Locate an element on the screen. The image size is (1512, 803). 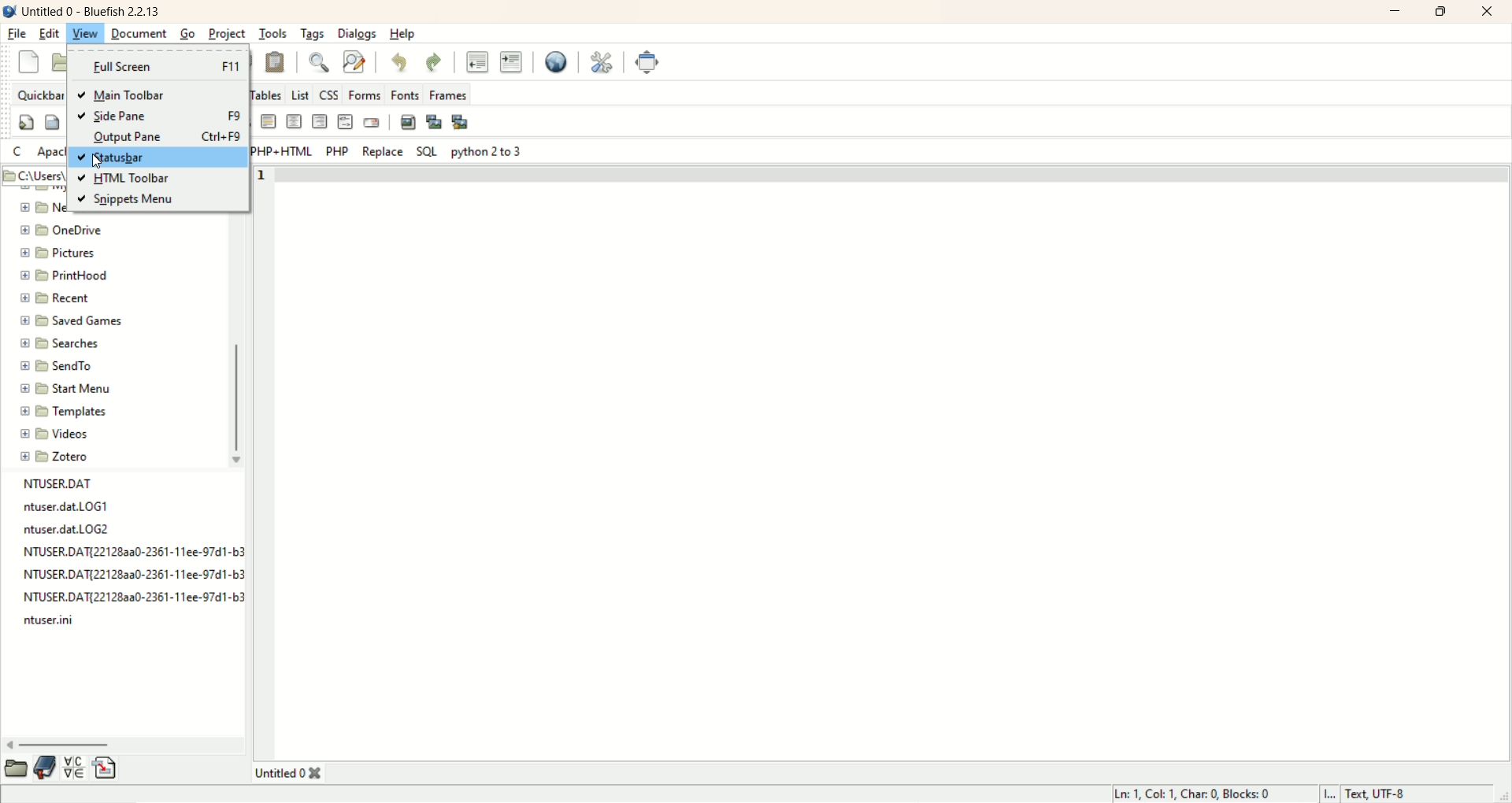
python 2 to 3 is located at coordinates (488, 151).